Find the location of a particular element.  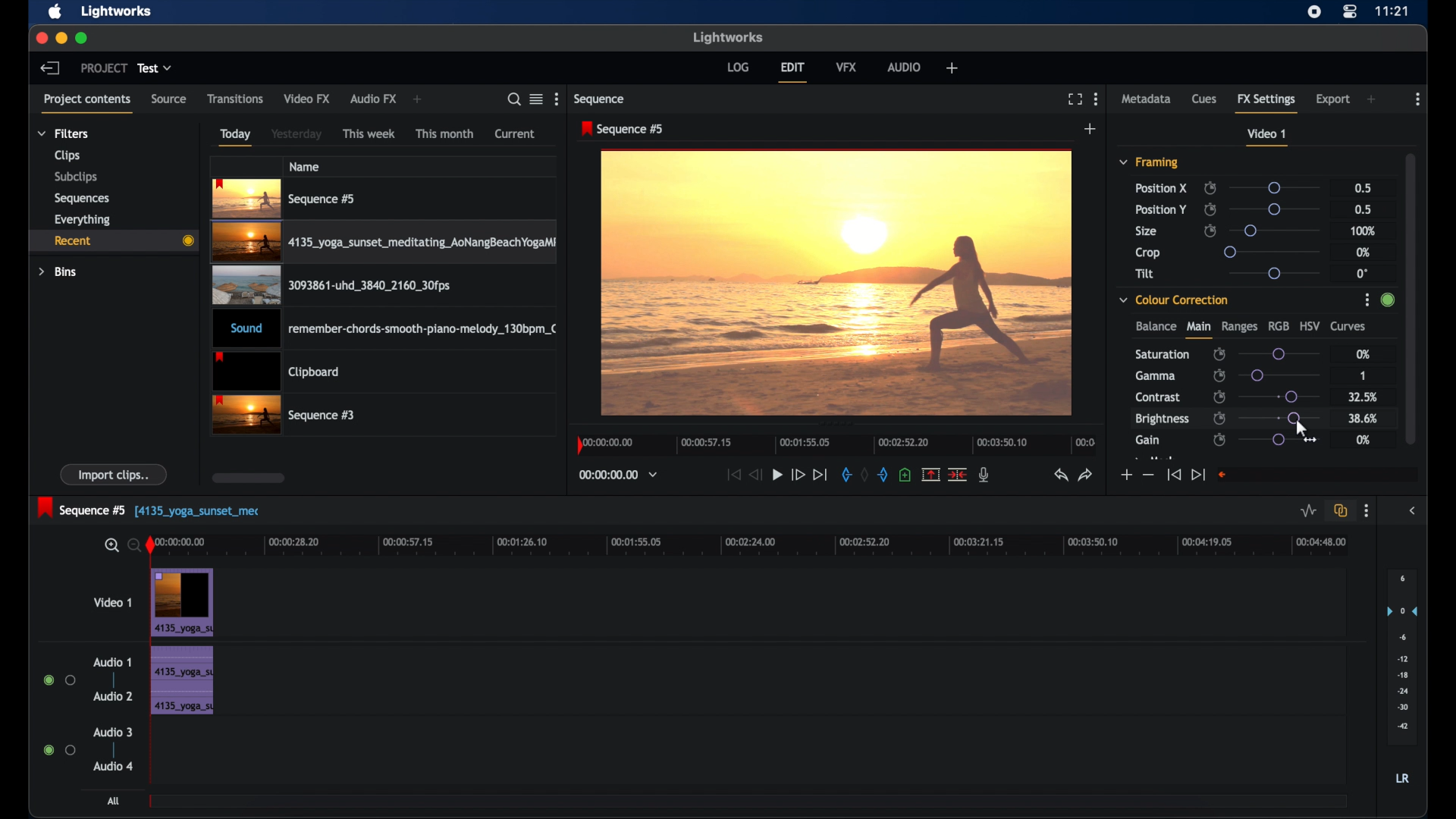

0.5 is located at coordinates (1365, 209).